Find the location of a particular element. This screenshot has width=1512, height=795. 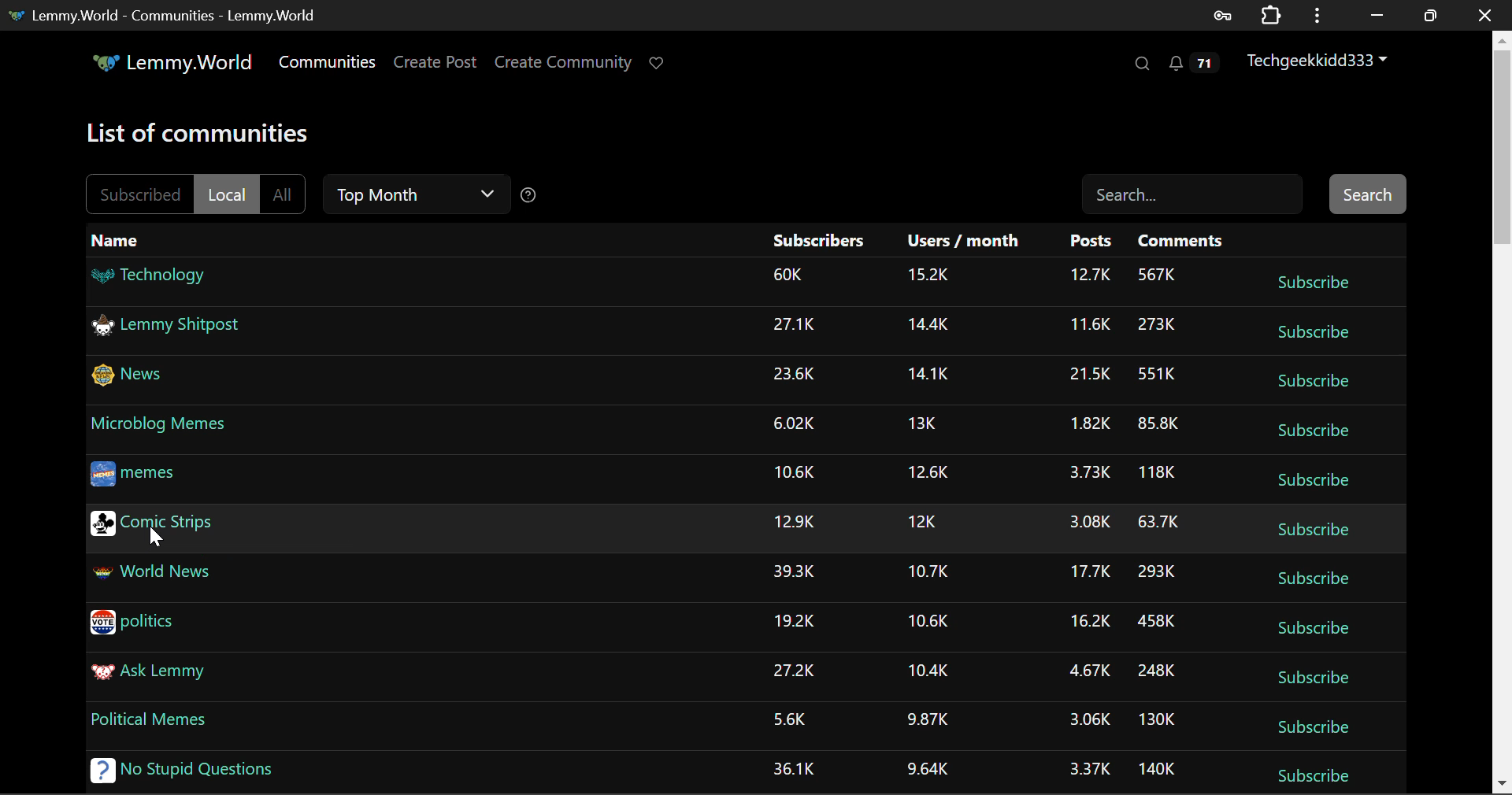

Search is located at coordinates (1195, 195).